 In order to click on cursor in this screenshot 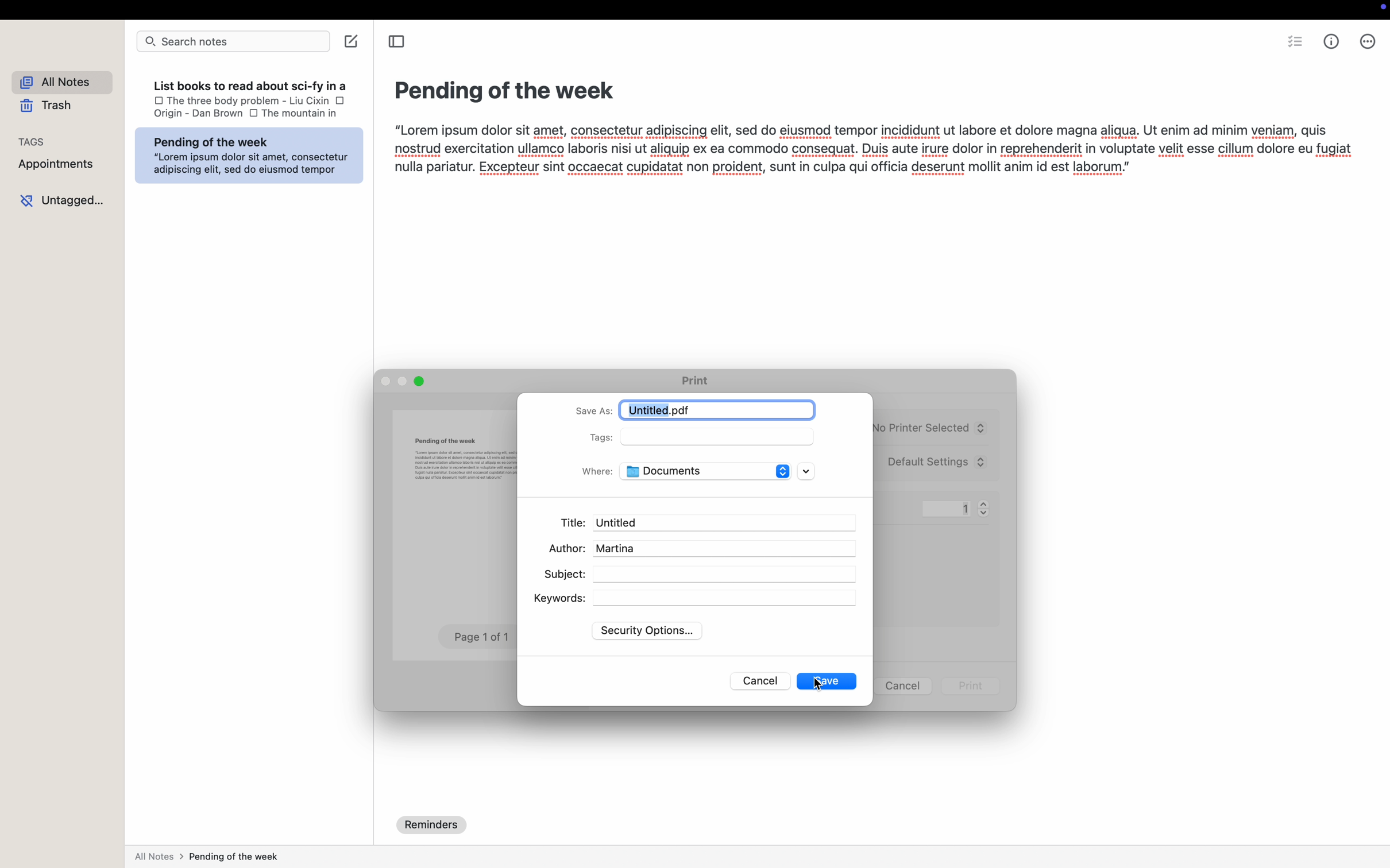, I will do `click(814, 686)`.